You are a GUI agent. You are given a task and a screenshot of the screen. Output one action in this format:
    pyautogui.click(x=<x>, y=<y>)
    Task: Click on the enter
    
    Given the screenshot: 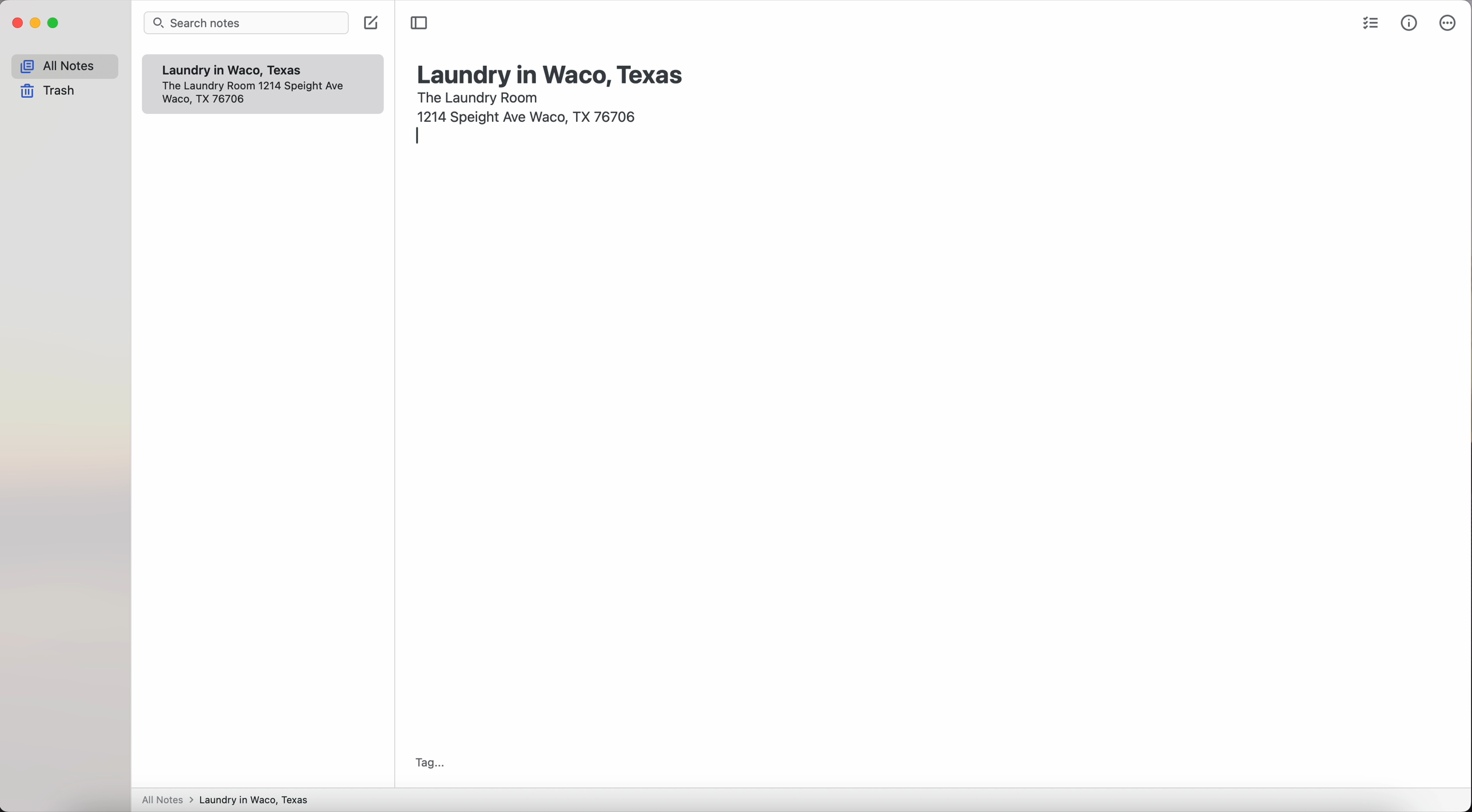 What is the action you would take?
    pyautogui.click(x=417, y=137)
    